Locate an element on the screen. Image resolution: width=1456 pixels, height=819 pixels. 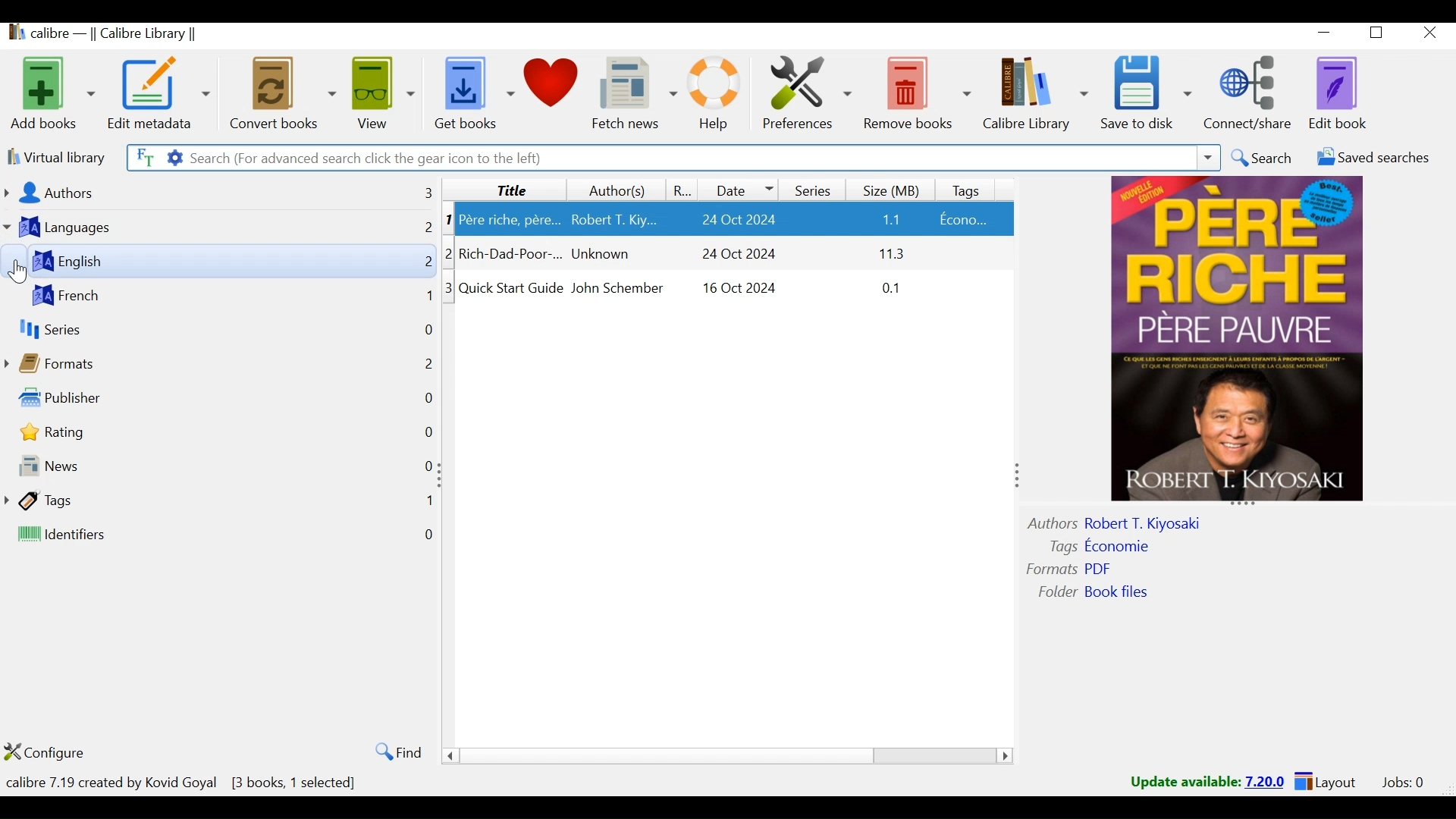
quick Start Guide John Schember 16 Oct 2024 0.1 is located at coordinates (736, 295).